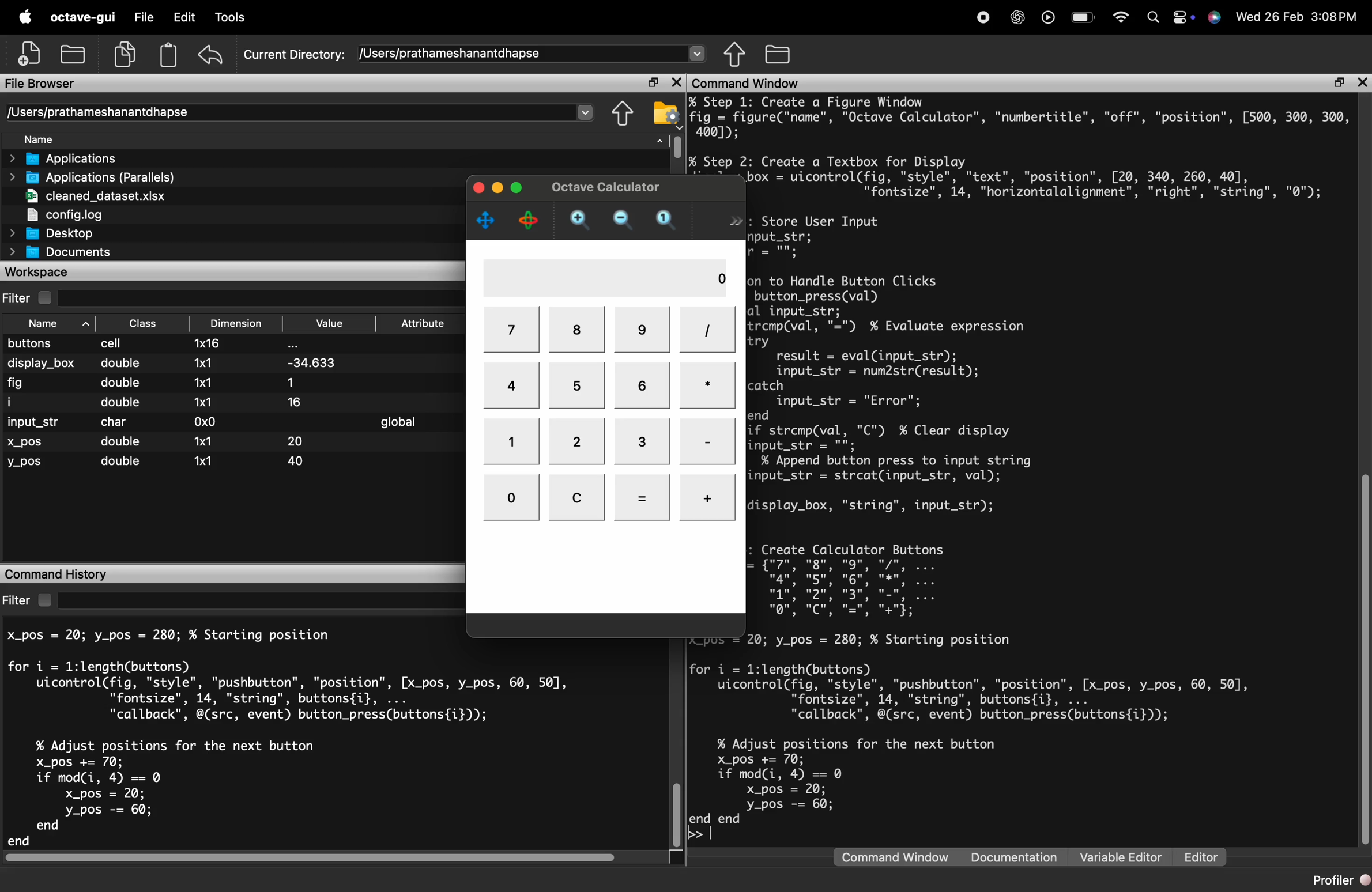 The width and height of the screenshot is (1372, 892). I want to click on search here, so click(259, 295).